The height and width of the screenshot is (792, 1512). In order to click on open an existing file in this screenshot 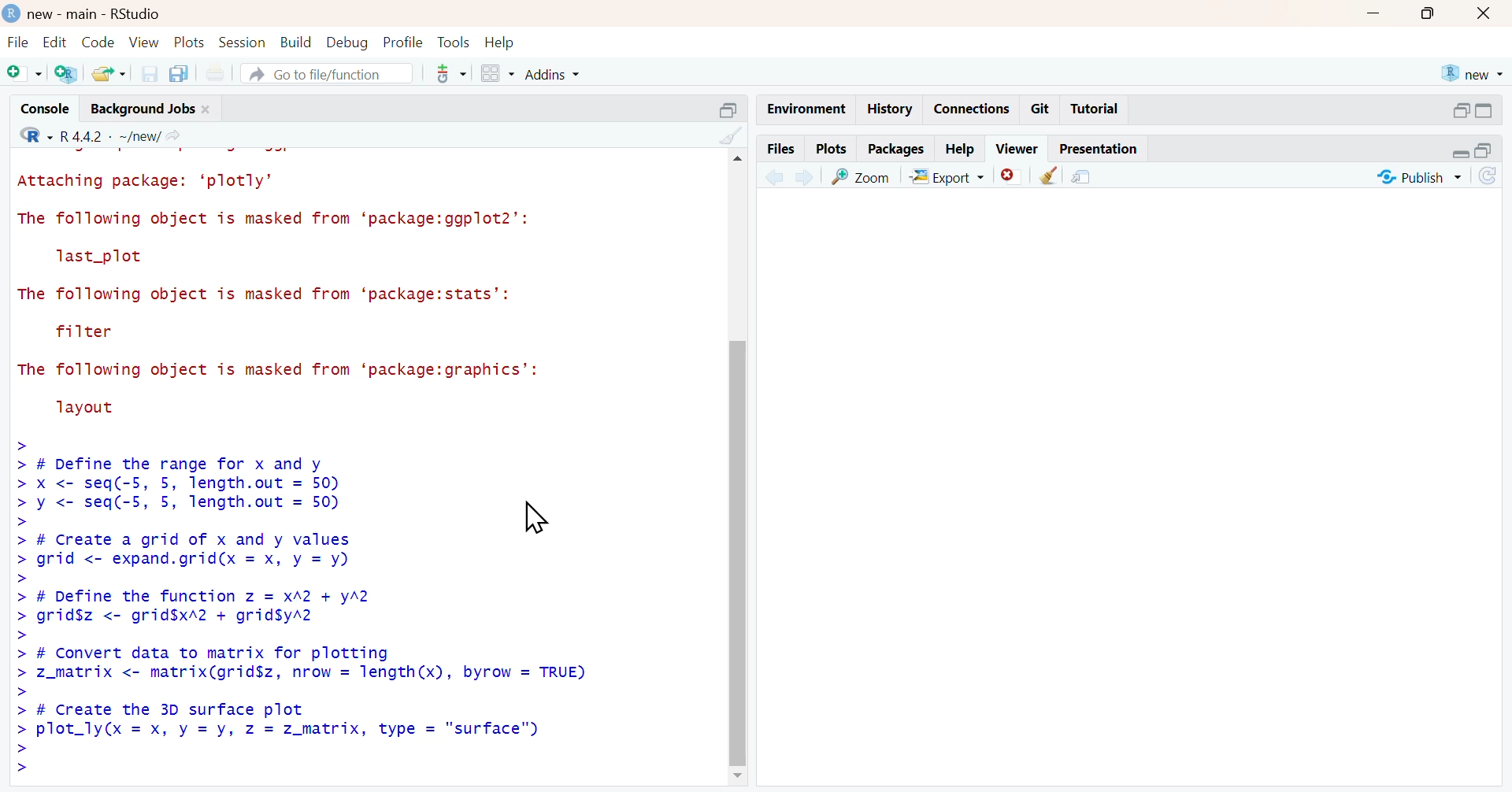, I will do `click(108, 74)`.